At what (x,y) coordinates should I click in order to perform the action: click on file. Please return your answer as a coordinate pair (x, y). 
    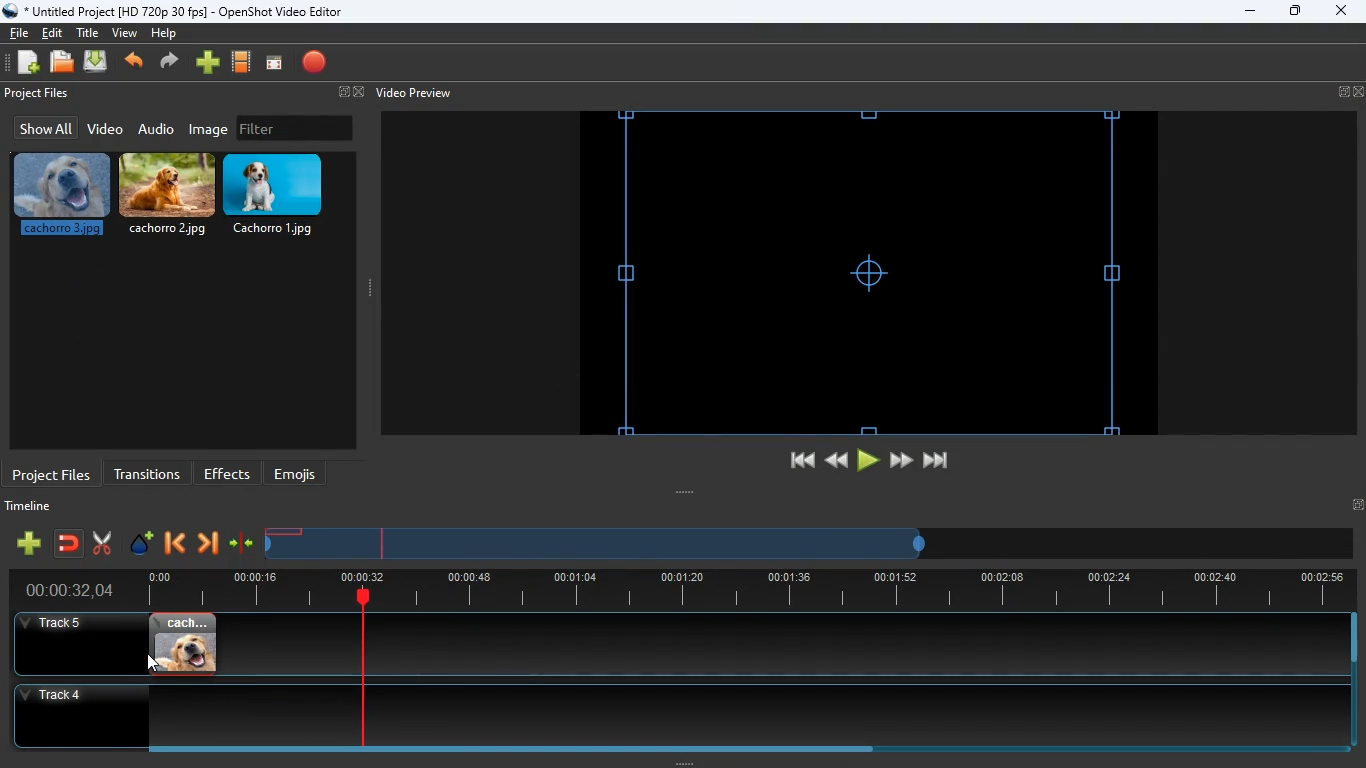
    Looking at the image, I should click on (19, 31).